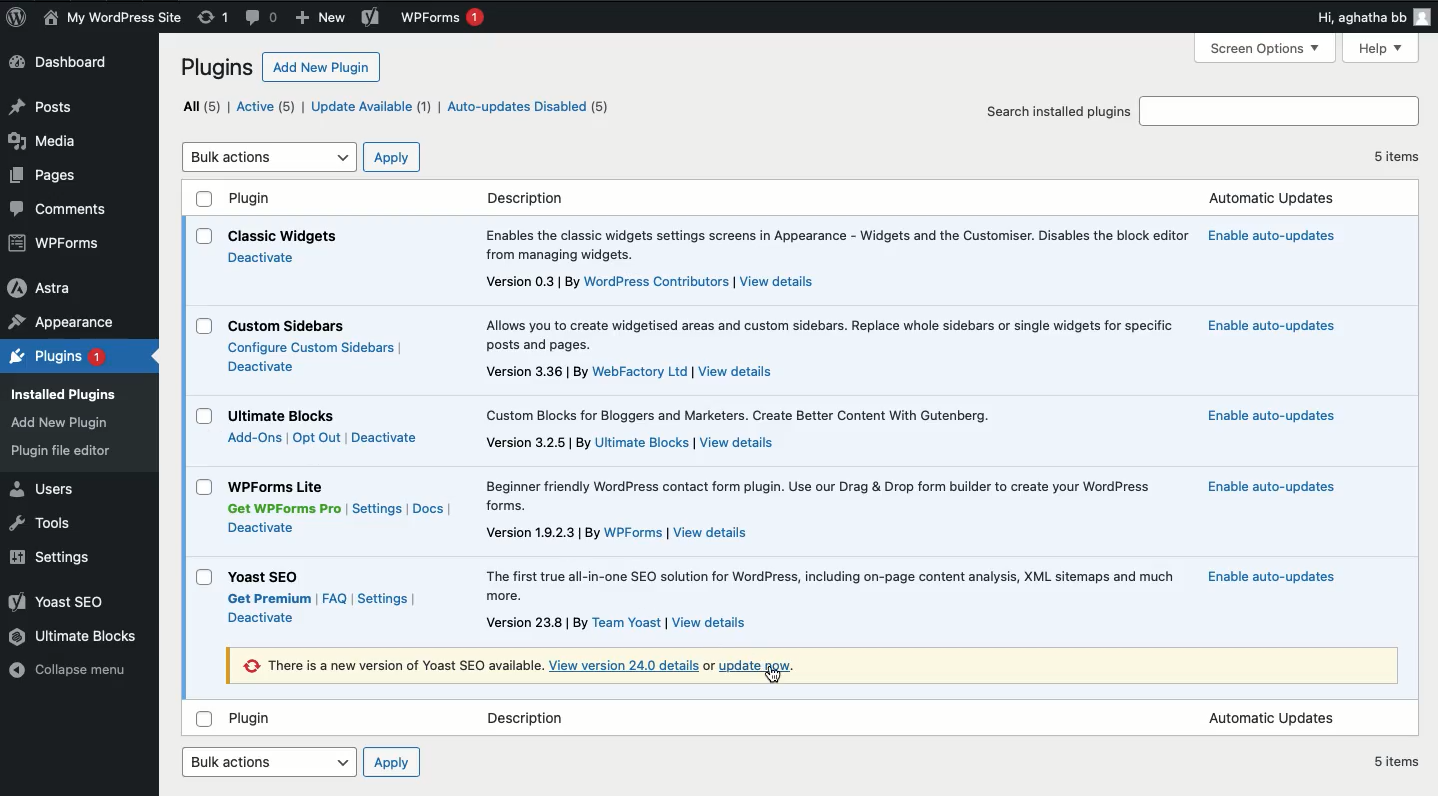 The image size is (1438, 796). Describe the element at coordinates (69, 394) in the screenshot. I see `Plugins` at that location.